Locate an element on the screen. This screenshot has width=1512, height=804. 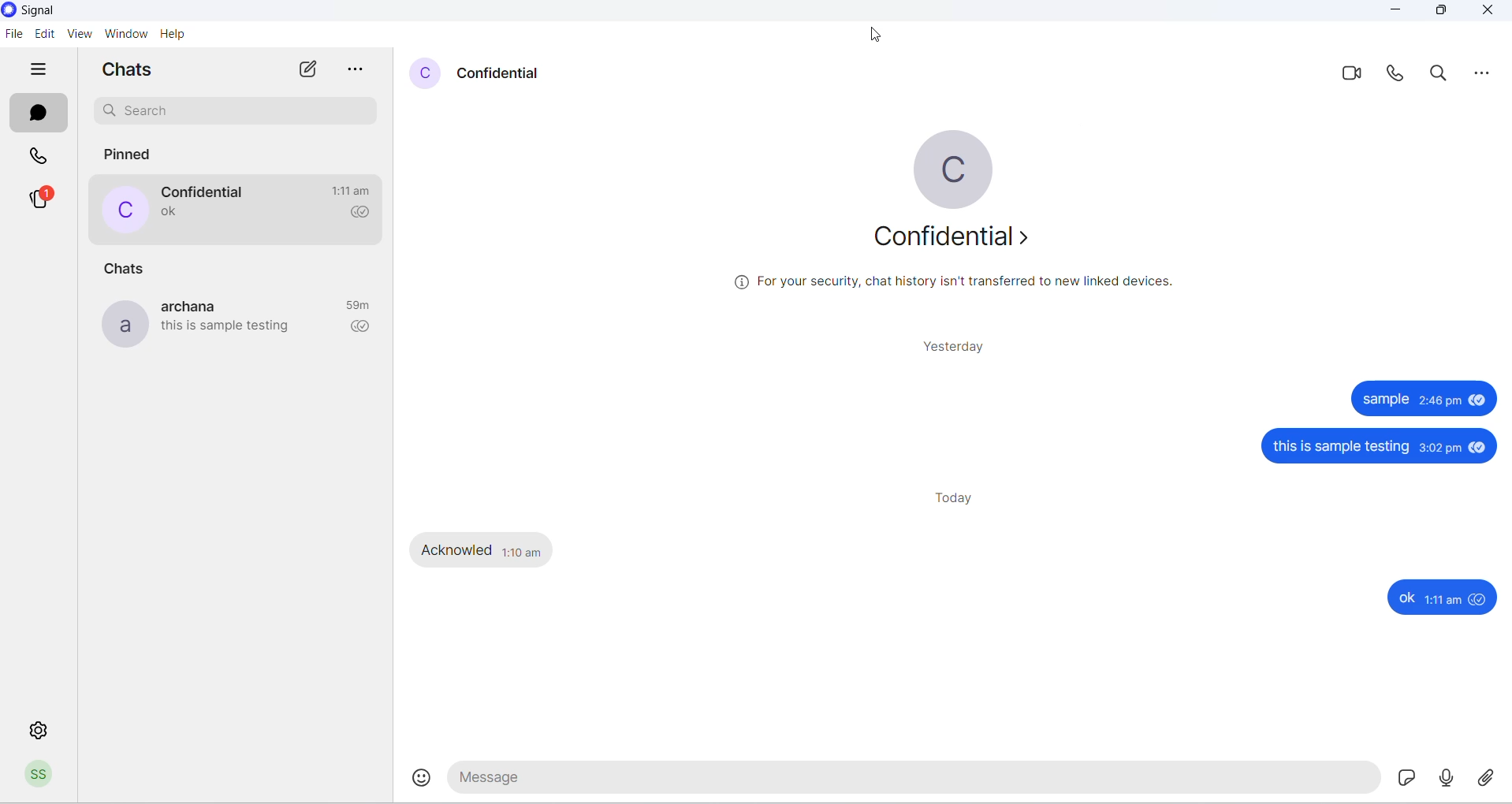
yesterday messages heading is located at coordinates (955, 347).